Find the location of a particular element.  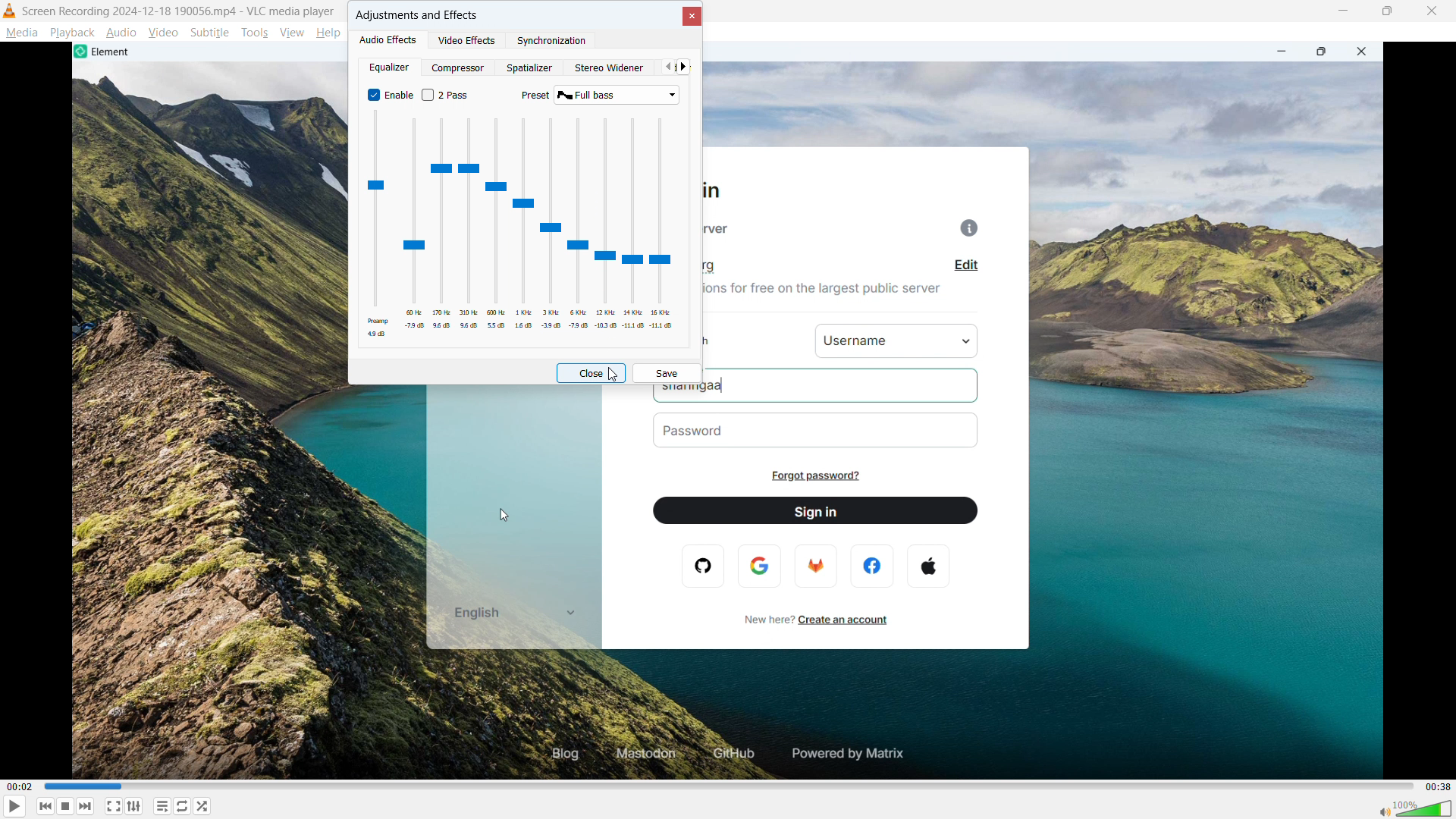

save is located at coordinates (669, 375).